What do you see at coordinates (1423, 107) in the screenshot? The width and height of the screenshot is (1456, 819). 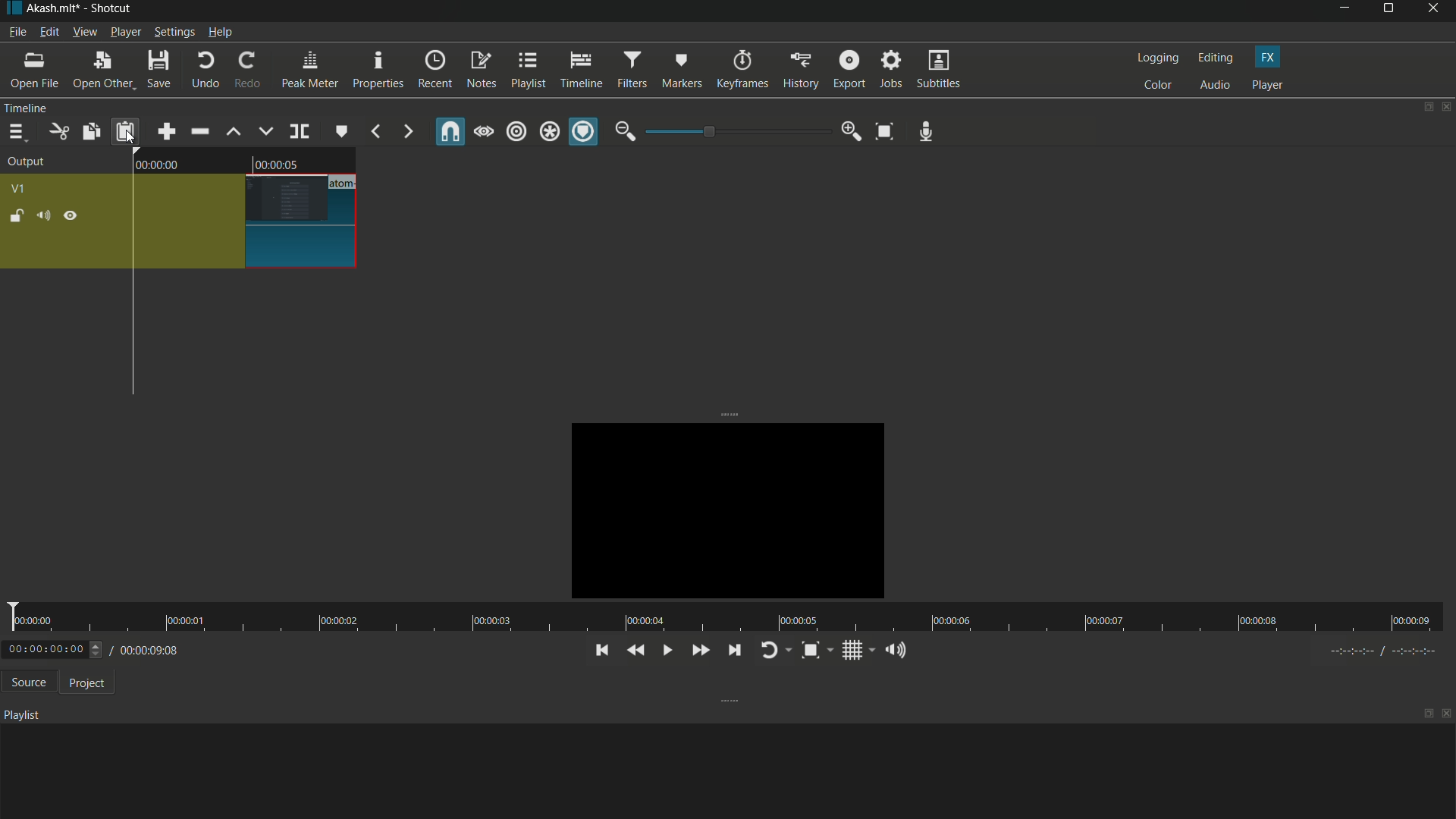 I see `change layout` at bounding box center [1423, 107].